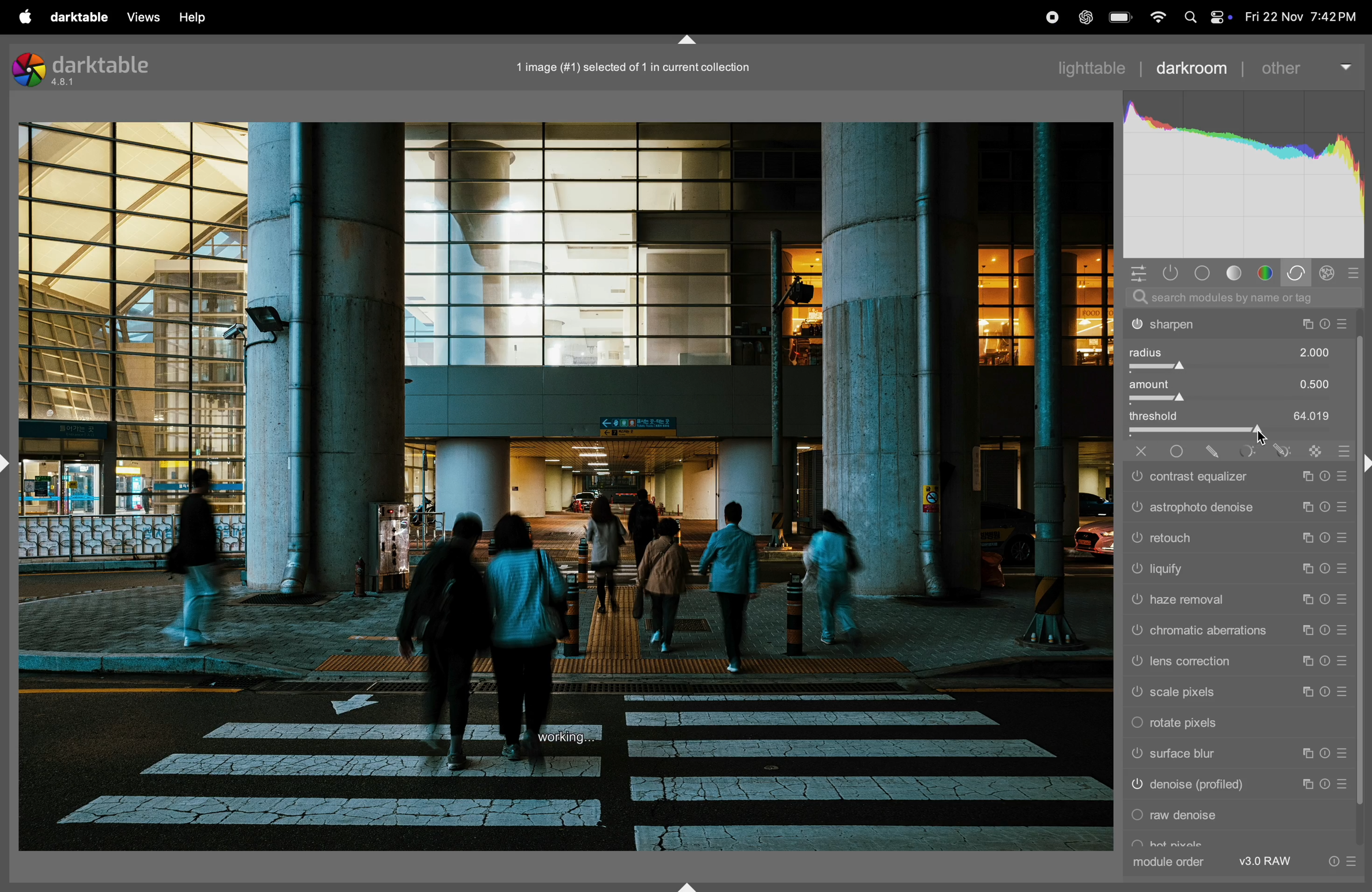  I want to click on correct, so click(1298, 273).